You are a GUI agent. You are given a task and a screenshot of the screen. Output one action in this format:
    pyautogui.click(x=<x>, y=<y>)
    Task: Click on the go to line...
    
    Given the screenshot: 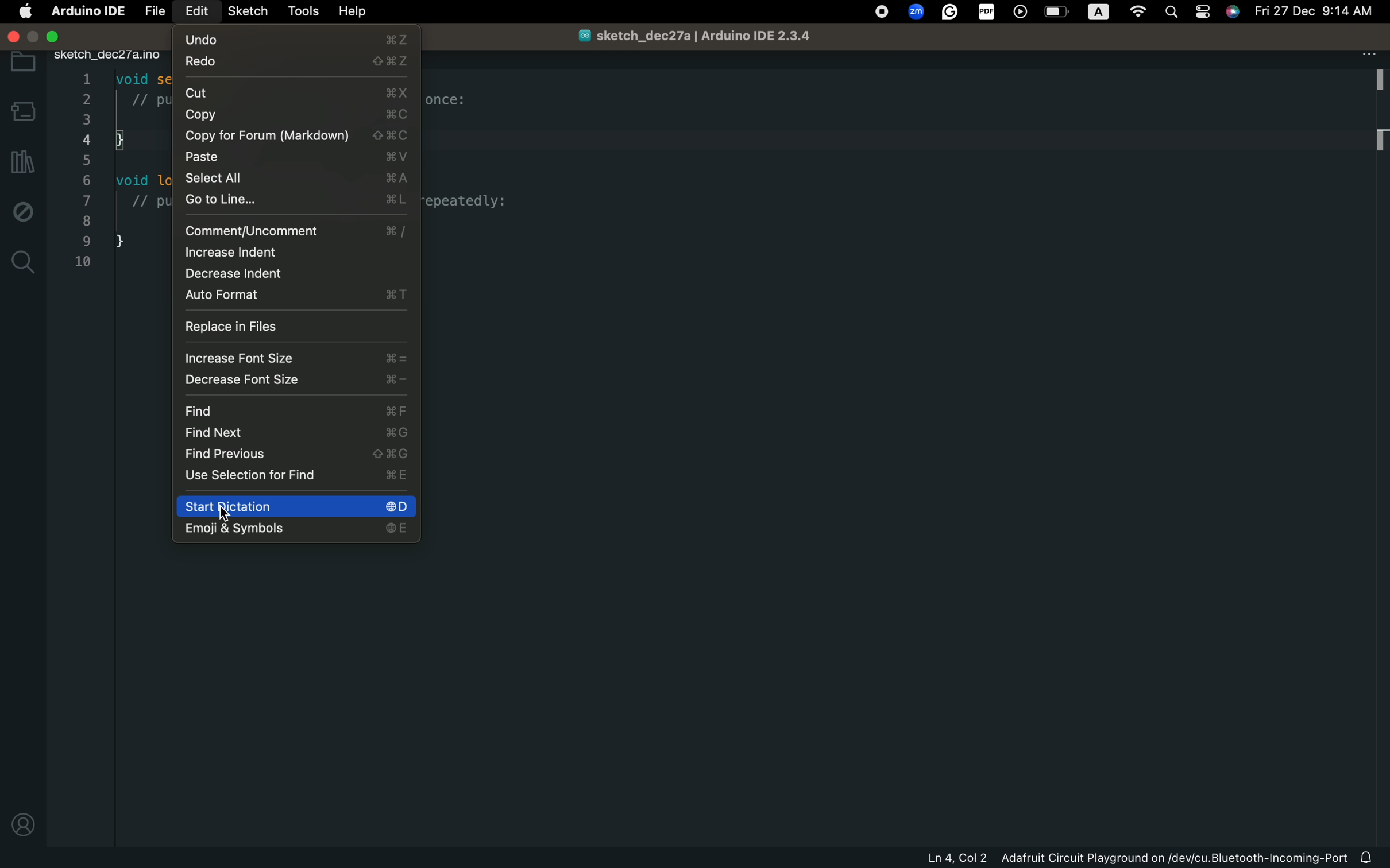 What is the action you would take?
    pyautogui.click(x=295, y=199)
    